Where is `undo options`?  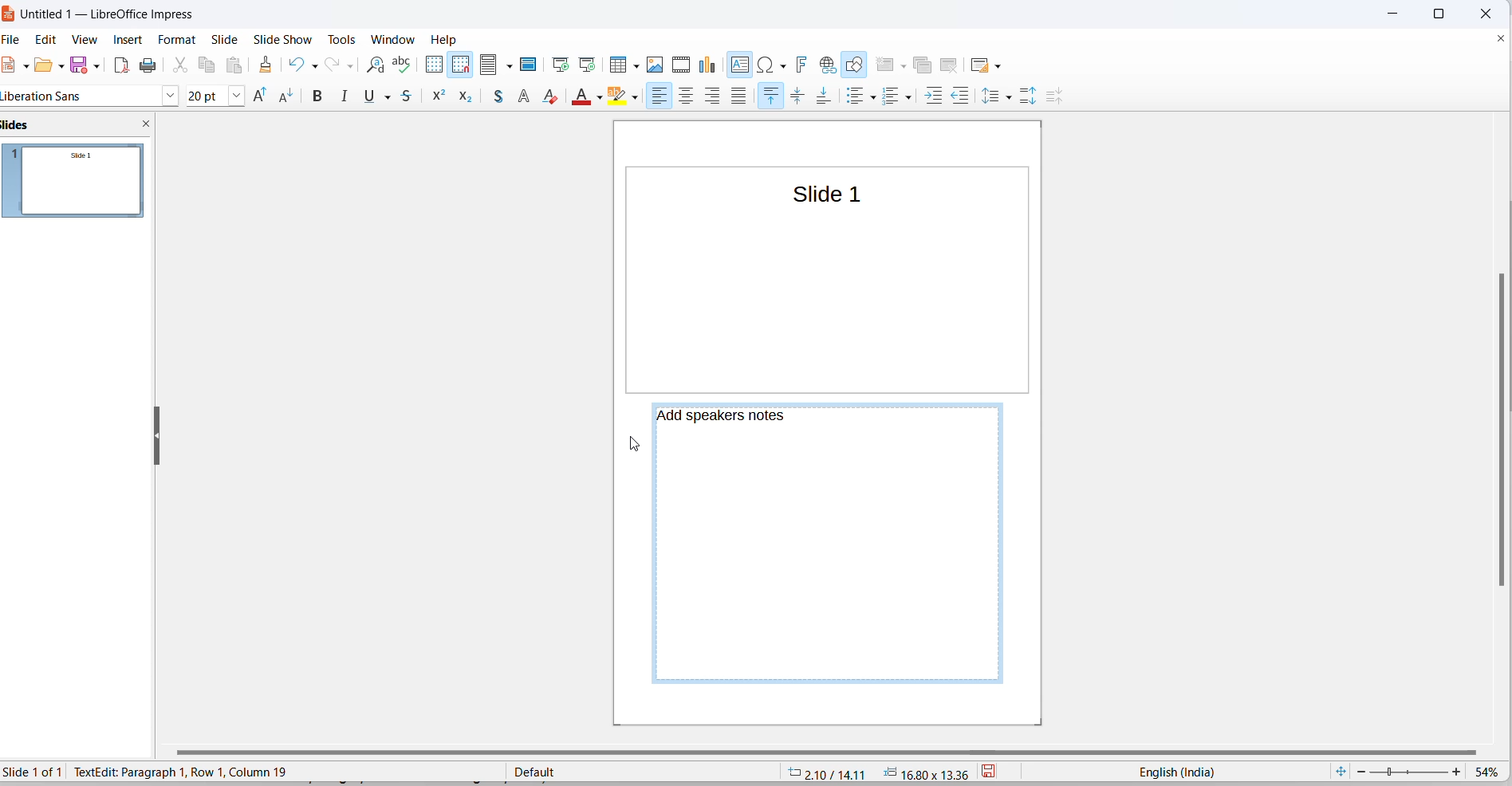
undo options is located at coordinates (314, 65).